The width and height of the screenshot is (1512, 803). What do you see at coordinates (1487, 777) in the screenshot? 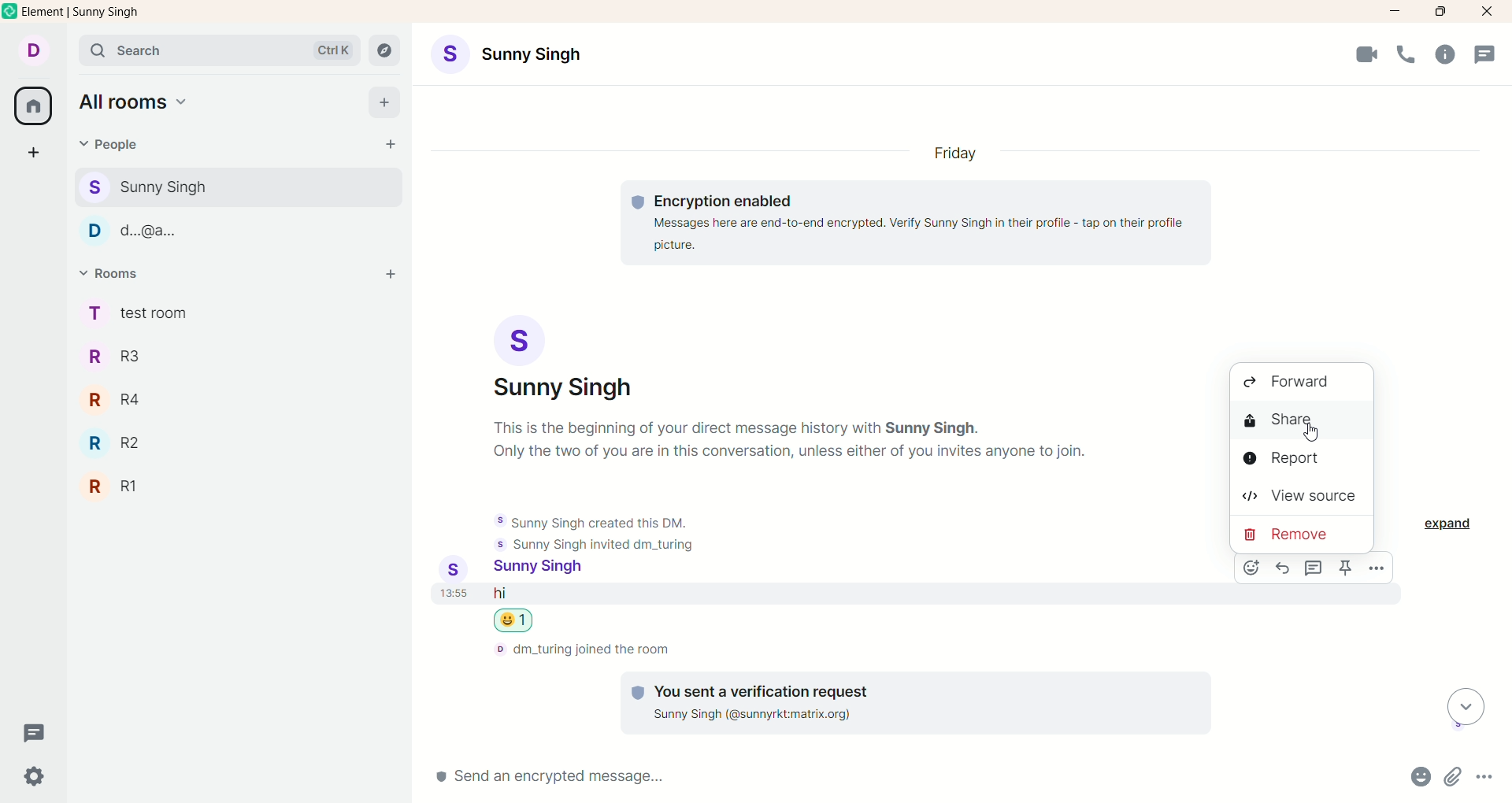
I see `options` at bounding box center [1487, 777].